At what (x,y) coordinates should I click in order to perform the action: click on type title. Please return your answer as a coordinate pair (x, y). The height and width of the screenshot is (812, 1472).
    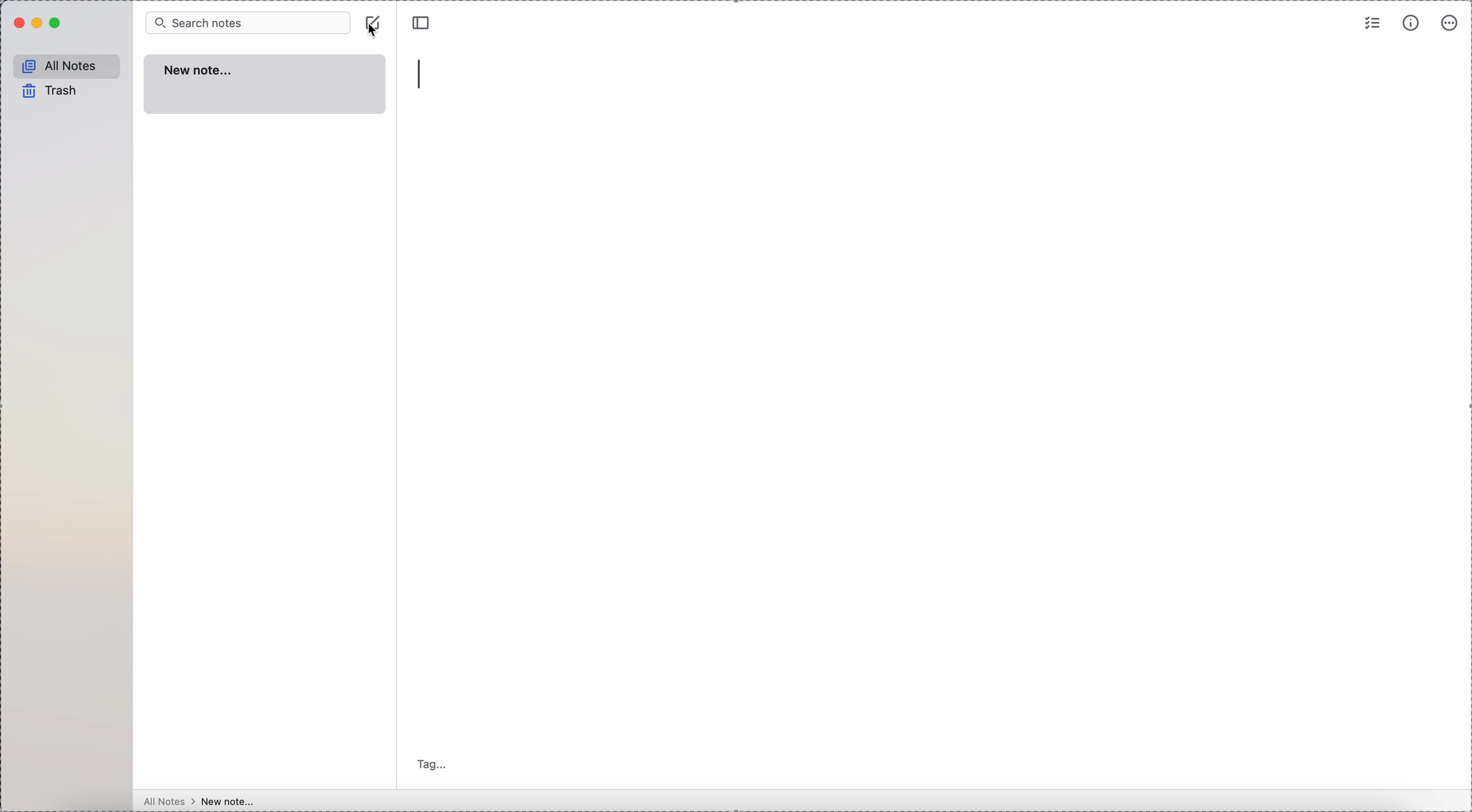
    Looking at the image, I should click on (423, 73).